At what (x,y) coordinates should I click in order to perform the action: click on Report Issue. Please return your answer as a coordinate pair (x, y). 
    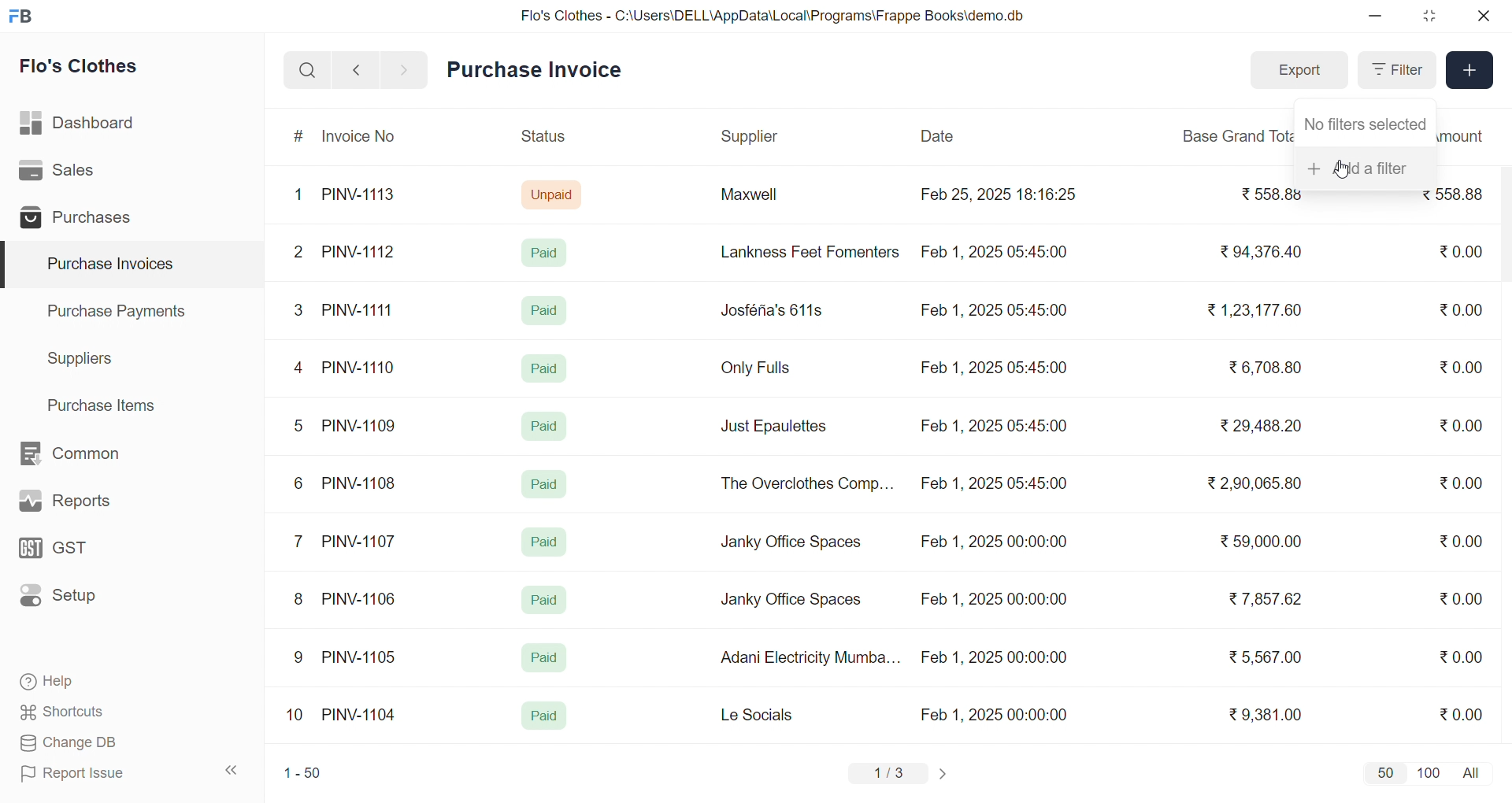
    Looking at the image, I should click on (98, 773).